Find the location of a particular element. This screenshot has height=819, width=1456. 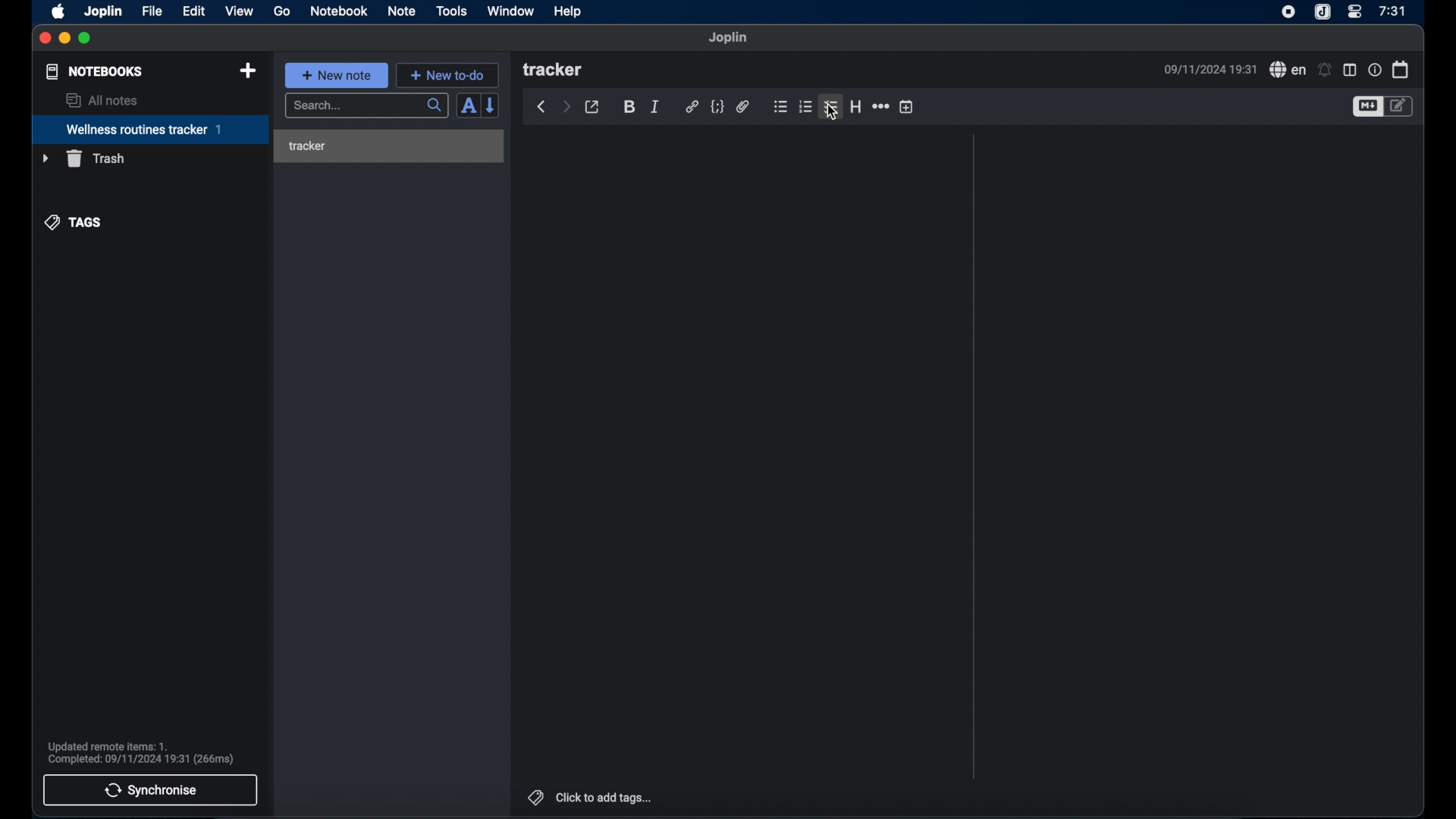

joplin is located at coordinates (104, 12).